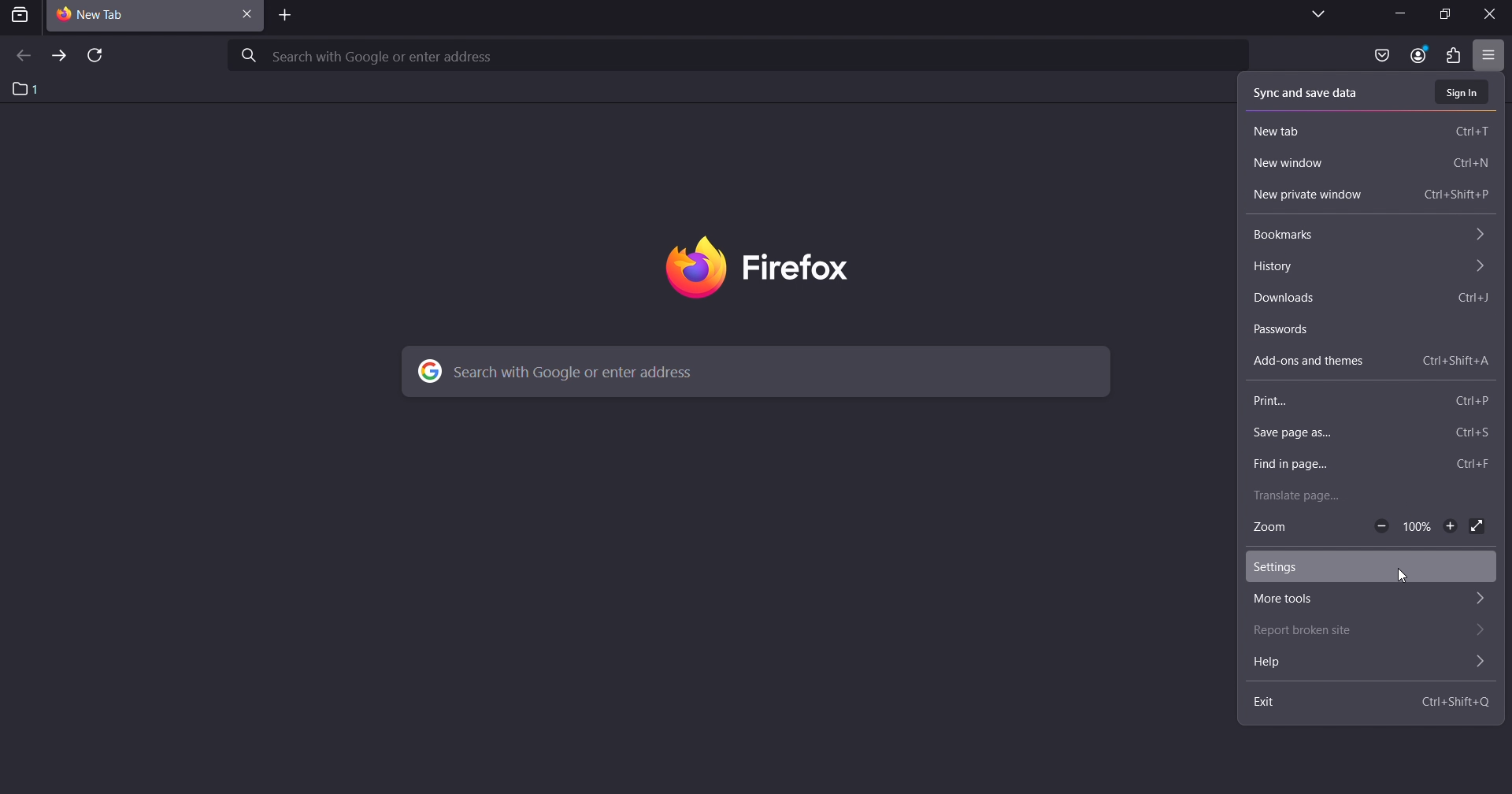 Image resolution: width=1512 pixels, height=794 pixels. I want to click on search tab, so click(20, 15).